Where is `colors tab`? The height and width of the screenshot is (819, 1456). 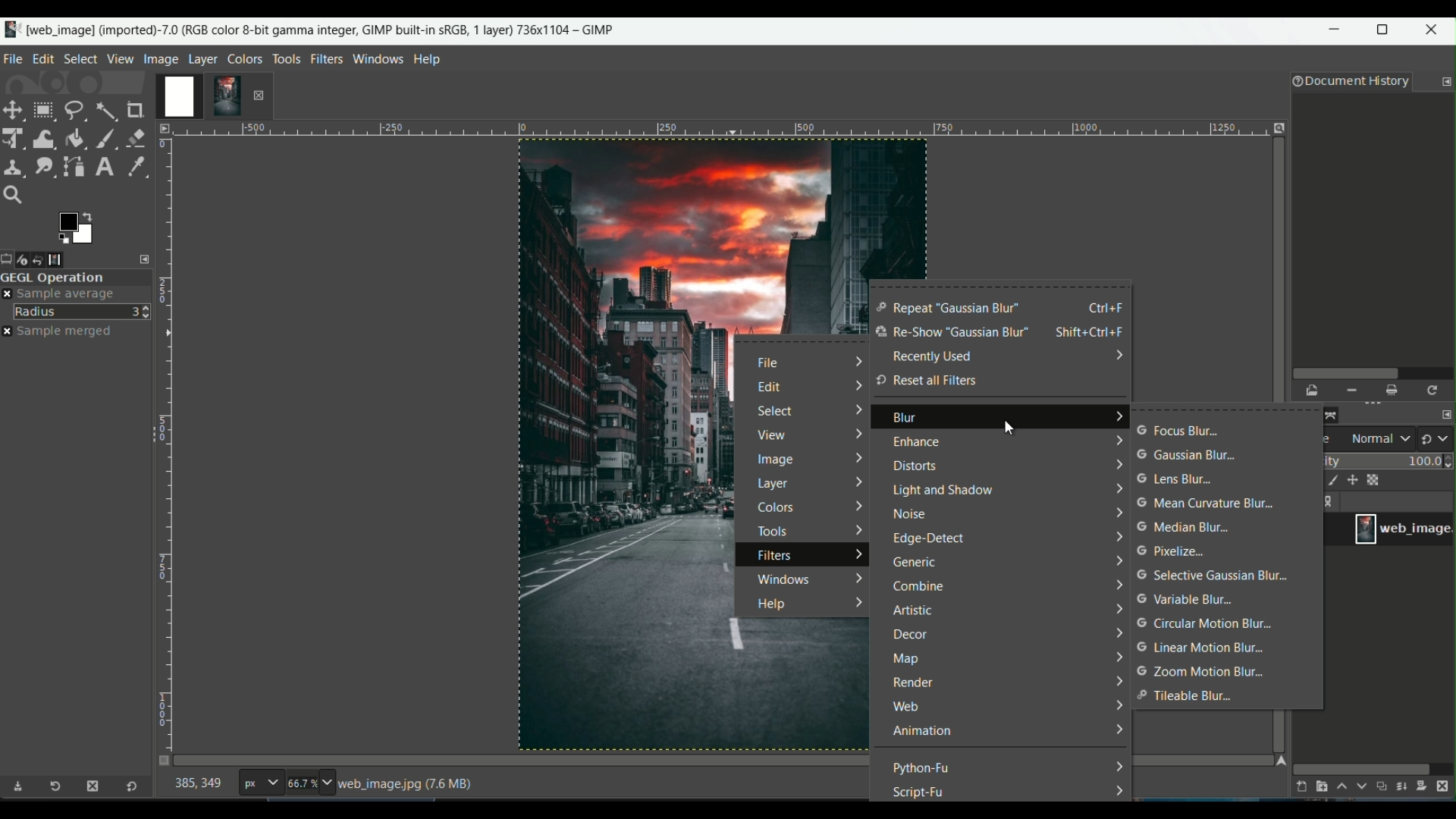 colors tab is located at coordinates (246, 58).